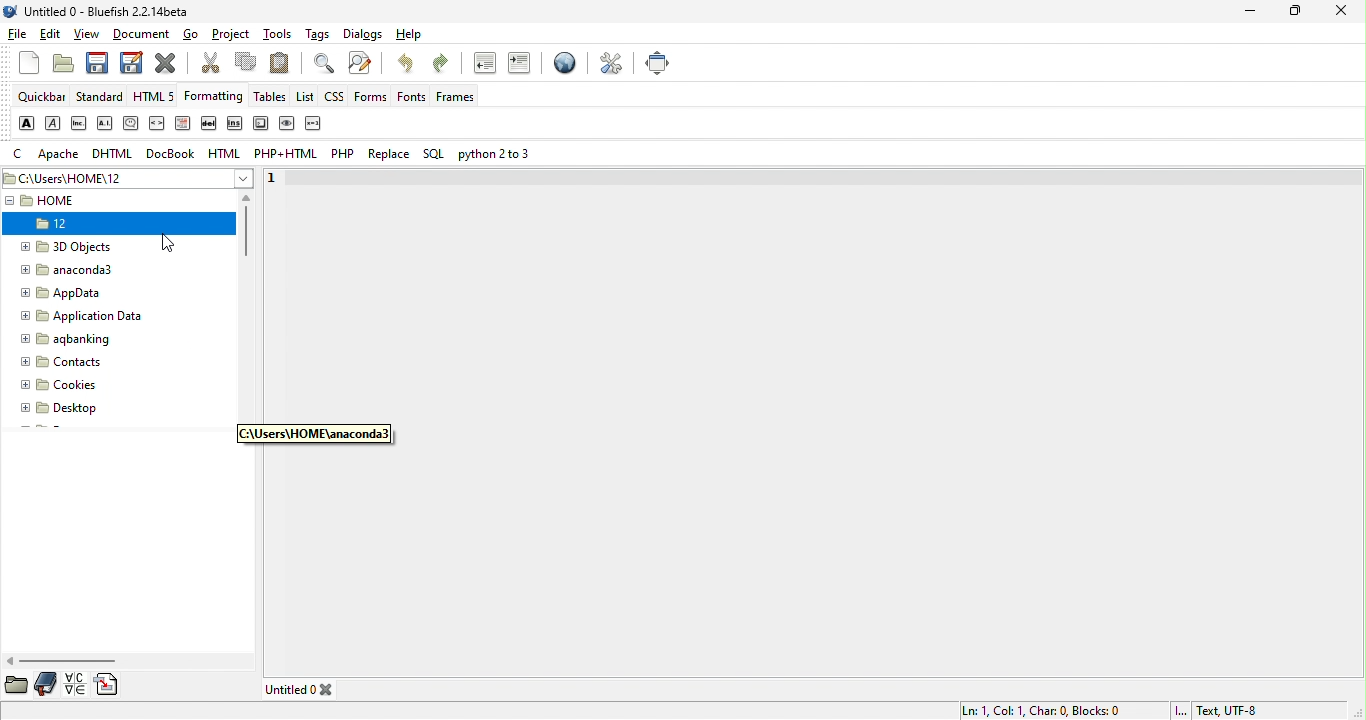 The width and height of the screenshot is (1366, 720). What do you see at coordinates (414, 36) in the screenshot?
I see `help` at bounding box center [414, 36].